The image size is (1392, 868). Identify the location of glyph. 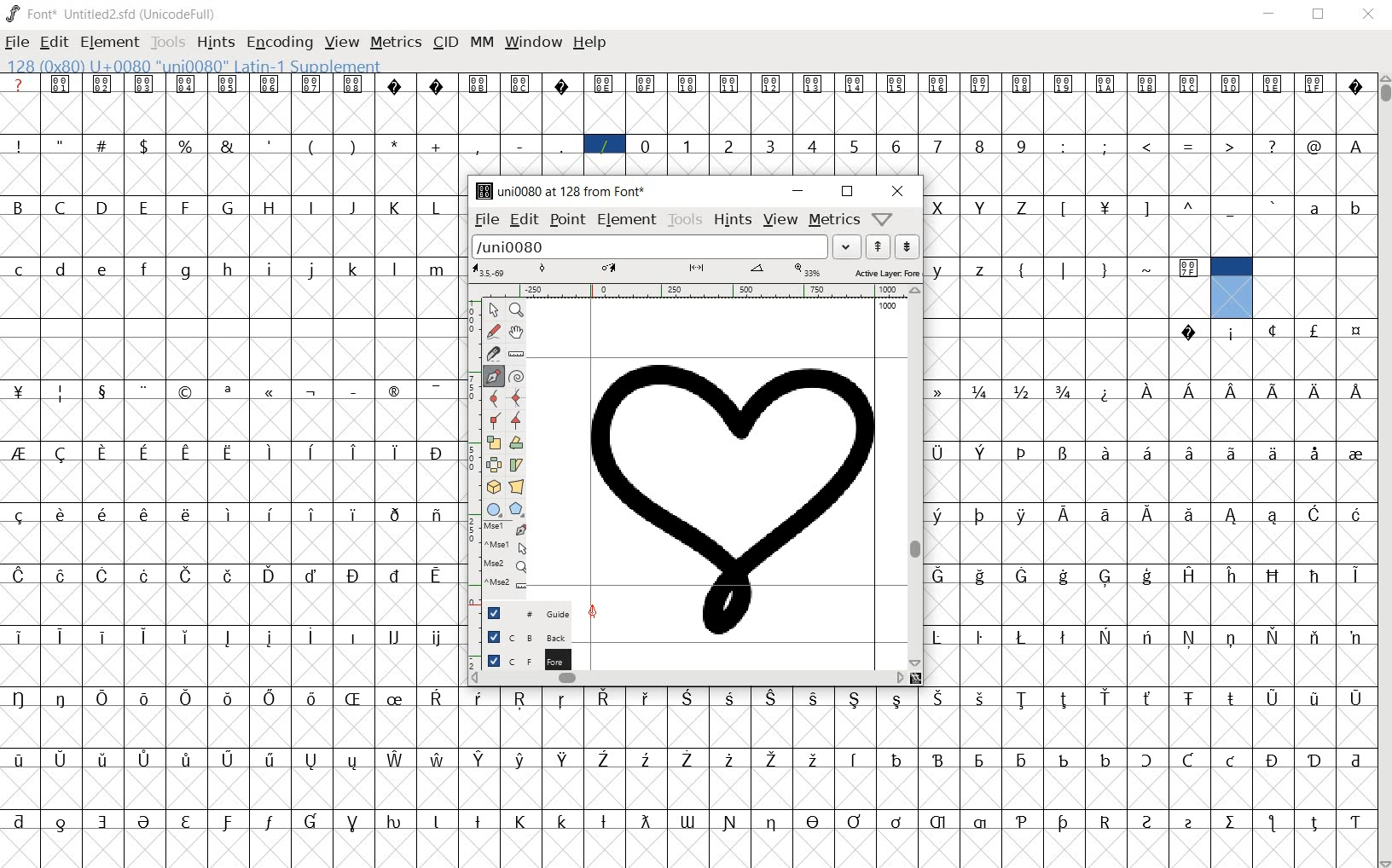
(1232, 84).